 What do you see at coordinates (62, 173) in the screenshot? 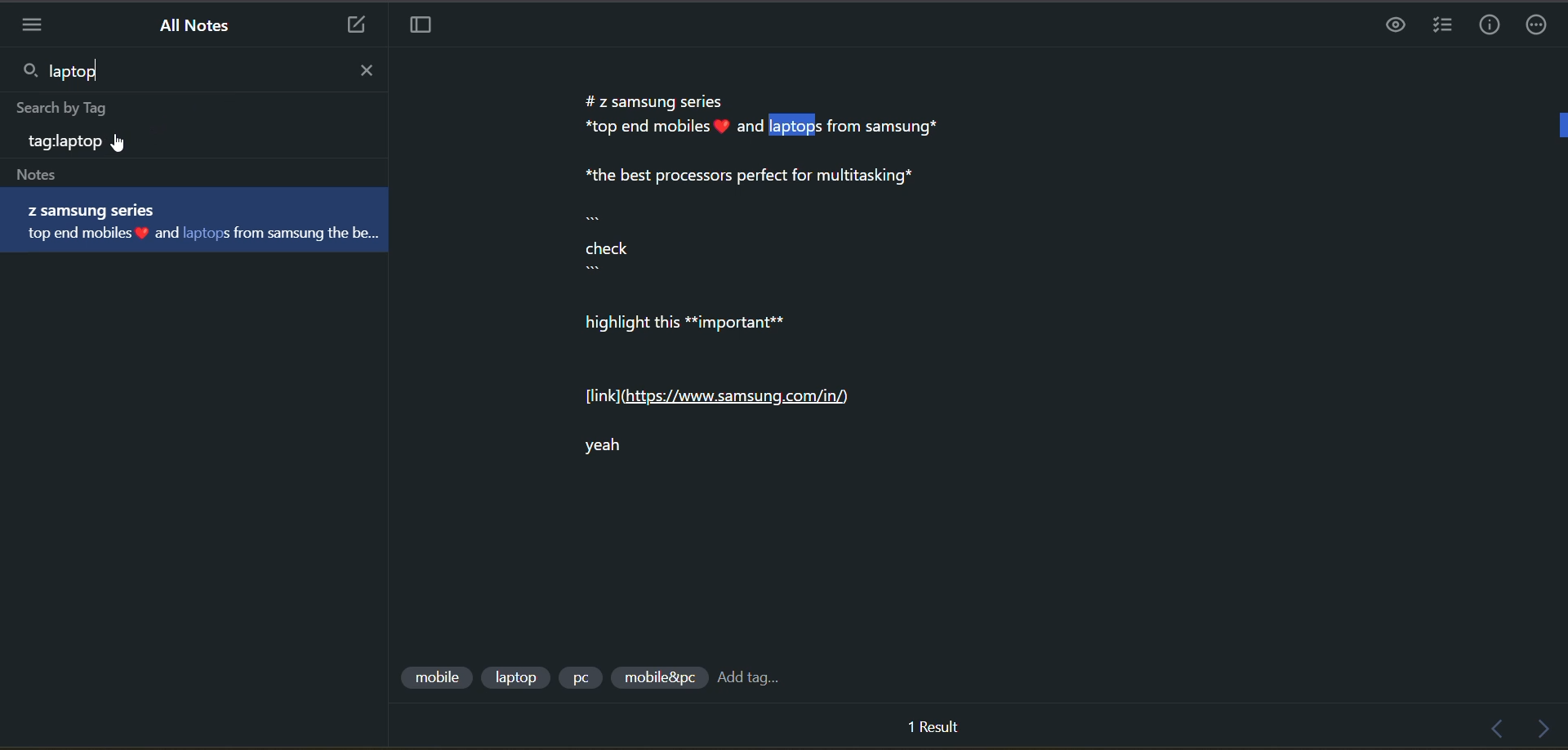
I see `notes` at bounding box center [62, 173].